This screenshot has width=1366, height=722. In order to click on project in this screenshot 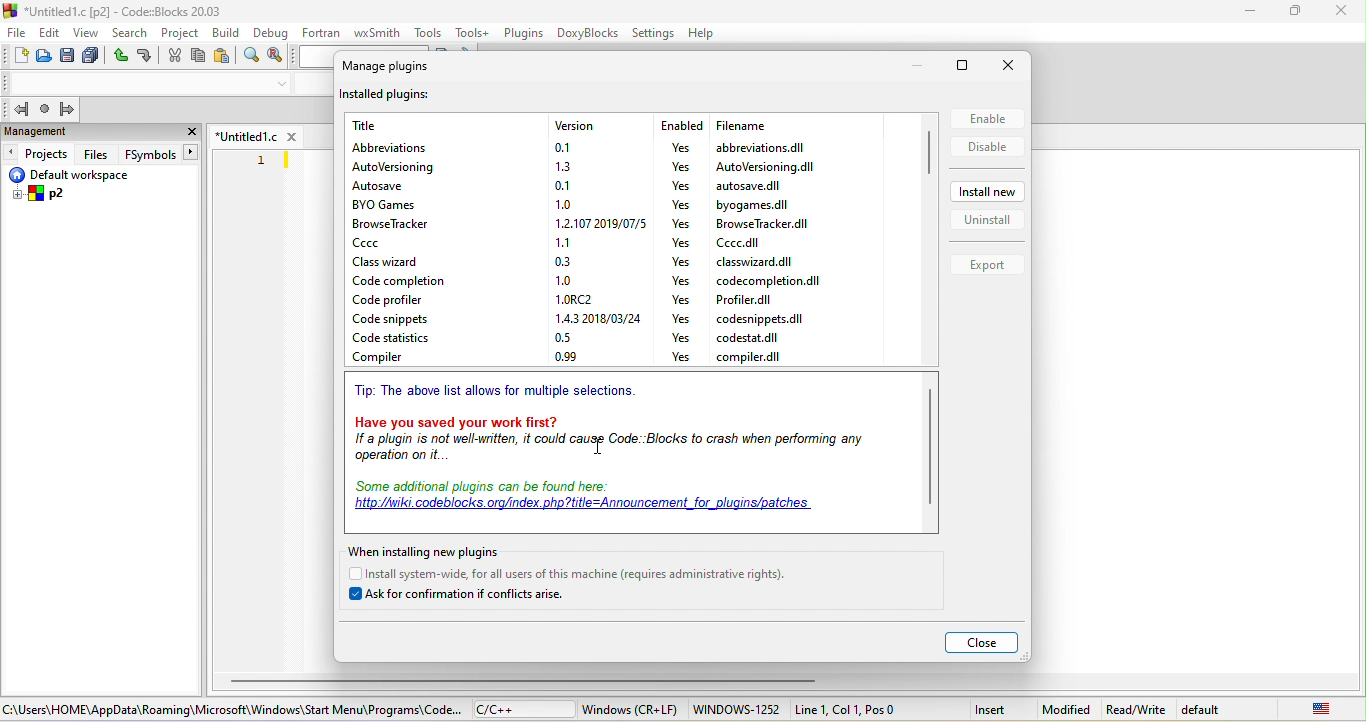, I will do `click(182, 32)`.